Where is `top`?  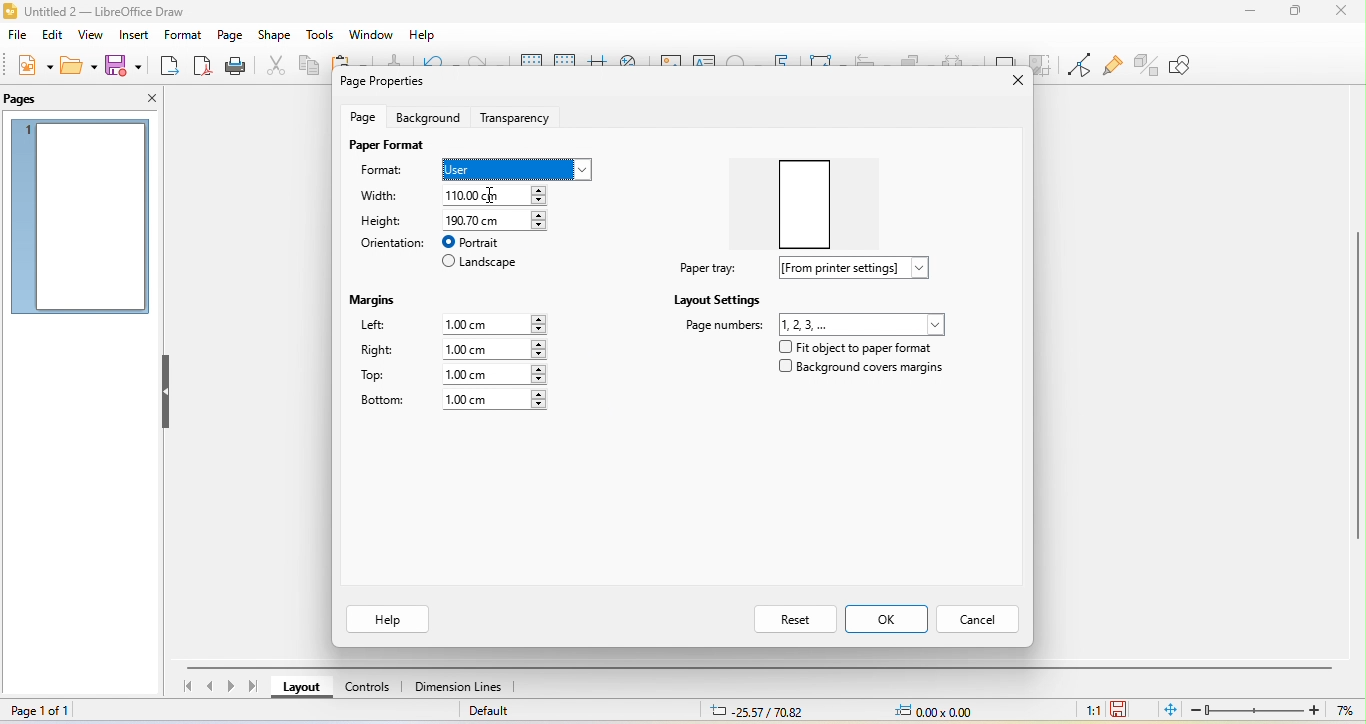 top is located at coordinates (382, 376).